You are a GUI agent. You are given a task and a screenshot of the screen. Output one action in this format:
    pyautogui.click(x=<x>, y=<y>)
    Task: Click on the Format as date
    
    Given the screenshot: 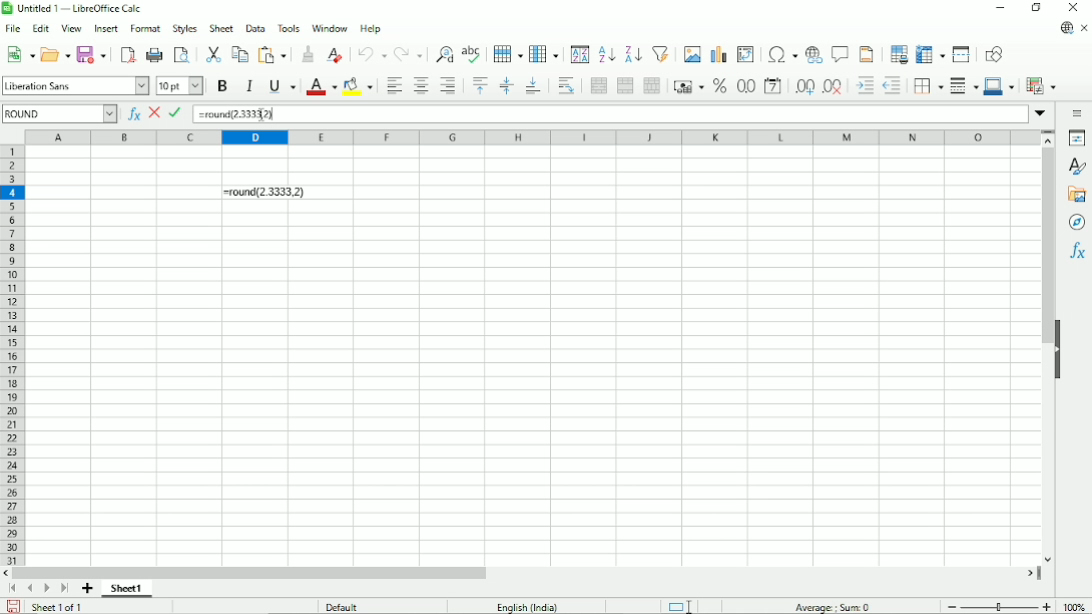 What is the action you would take?
    pyautogui.click(x=774, y=86)
    